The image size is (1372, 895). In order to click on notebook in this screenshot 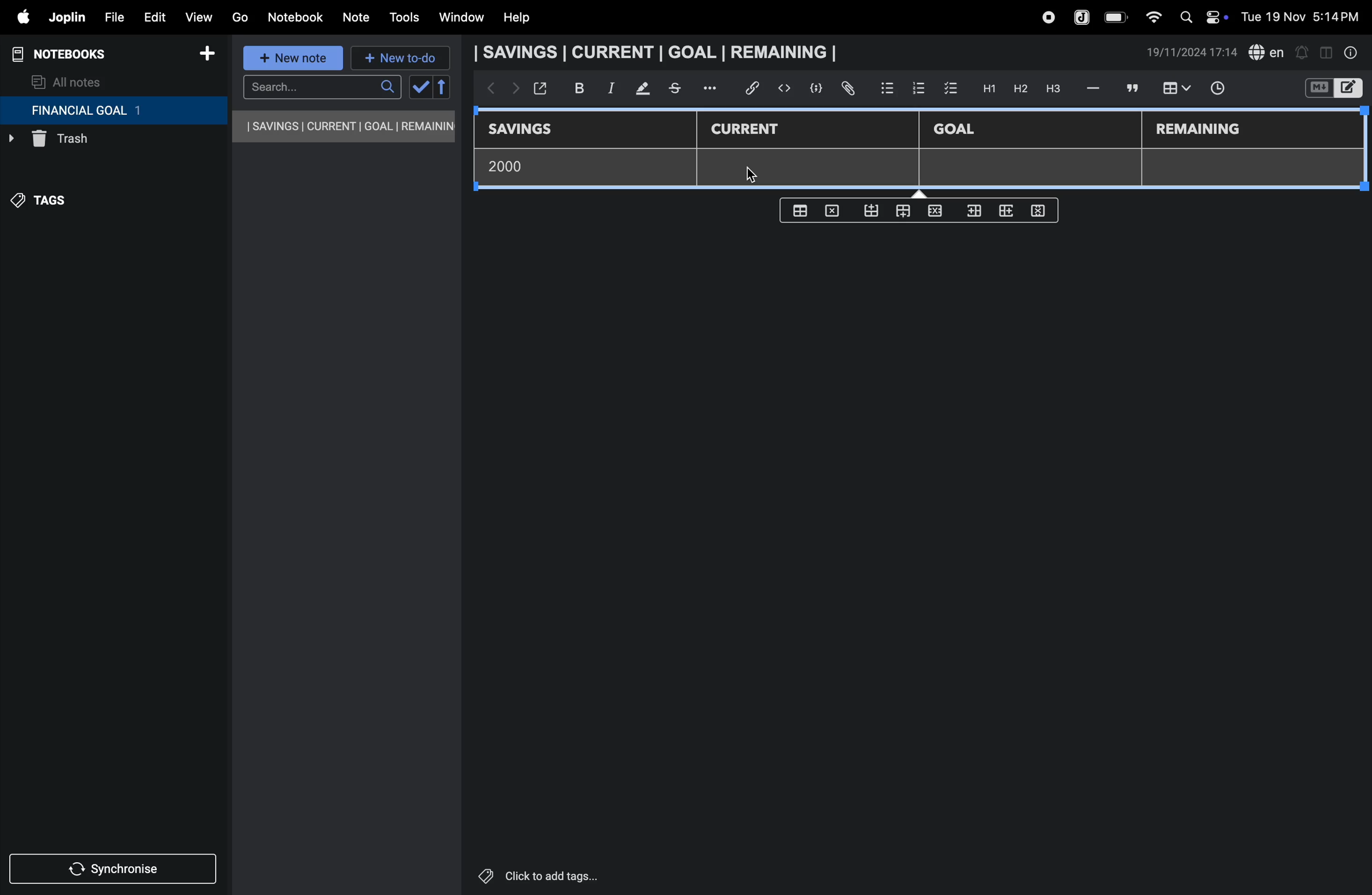, I will do `click(295, 17)`.